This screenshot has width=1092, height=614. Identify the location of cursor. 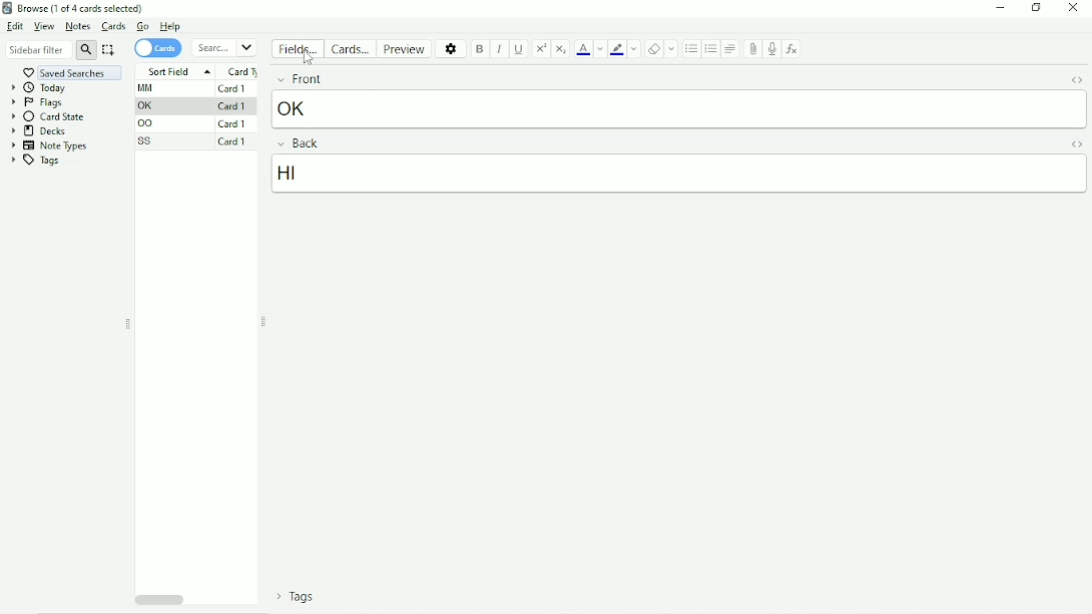
(310, 58).